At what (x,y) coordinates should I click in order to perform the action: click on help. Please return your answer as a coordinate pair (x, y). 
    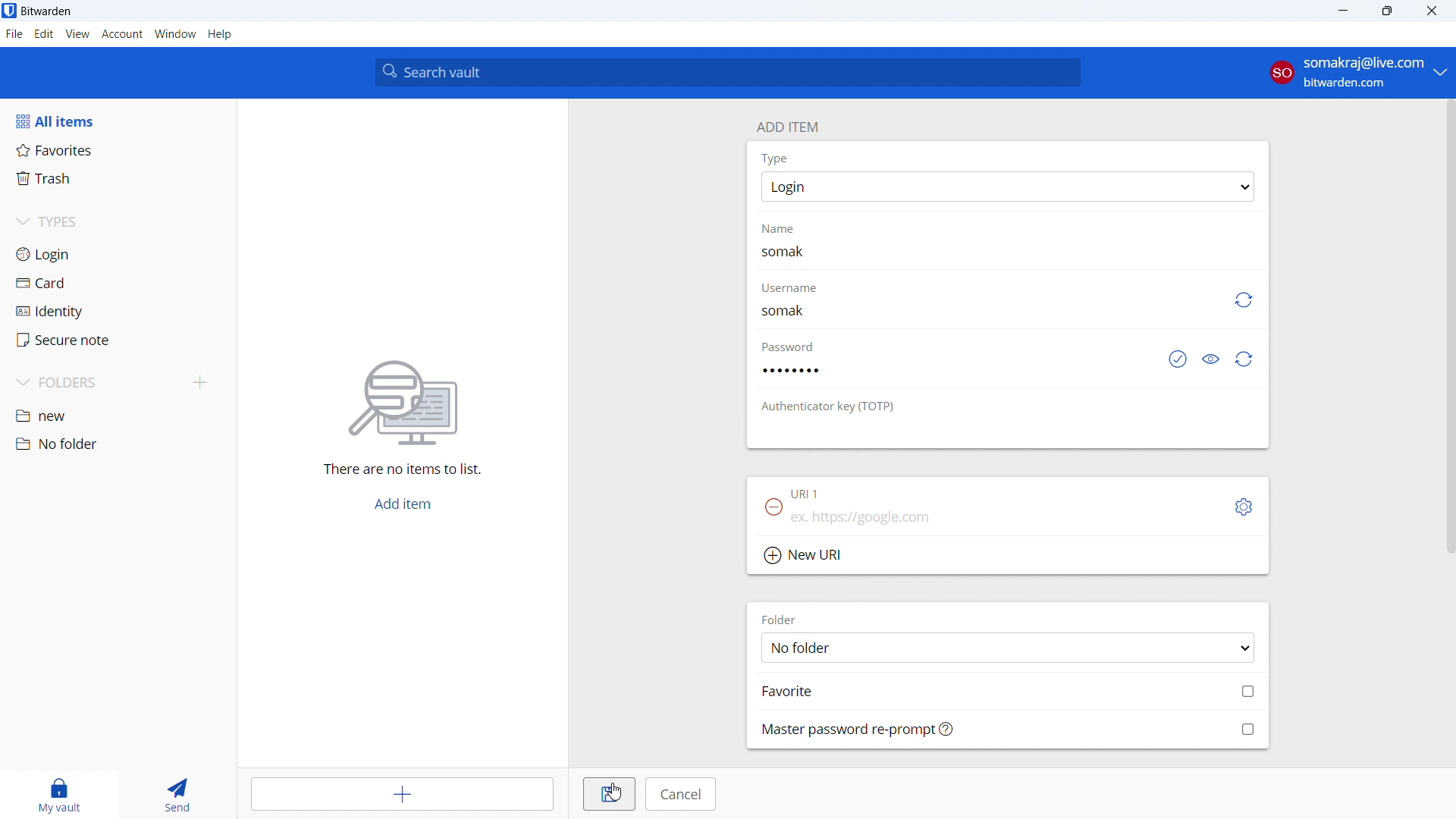
    Looking at the image, I should click on (220, 34).